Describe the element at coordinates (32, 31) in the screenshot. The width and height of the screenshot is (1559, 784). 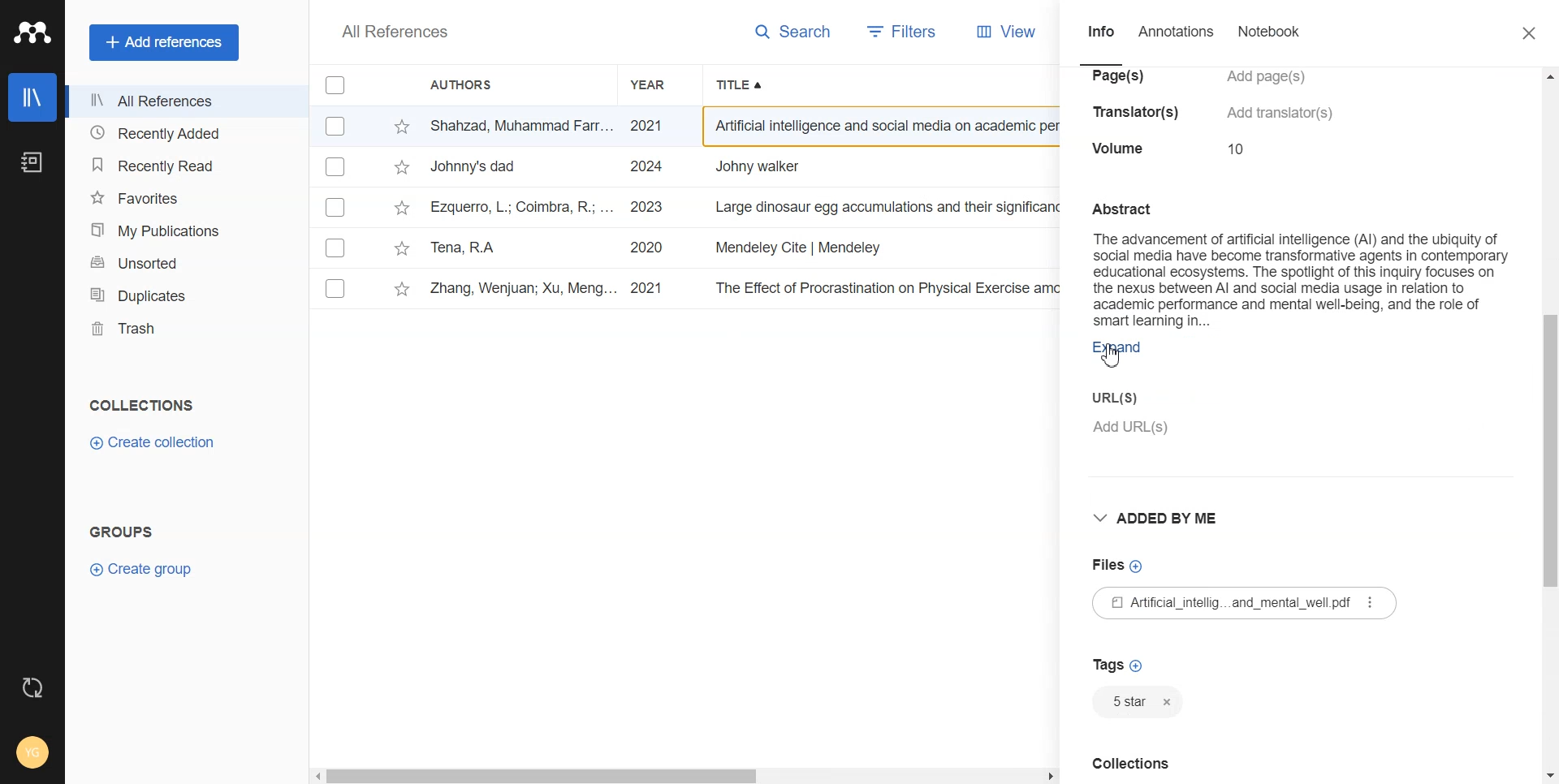
I see `Logo` at that location.